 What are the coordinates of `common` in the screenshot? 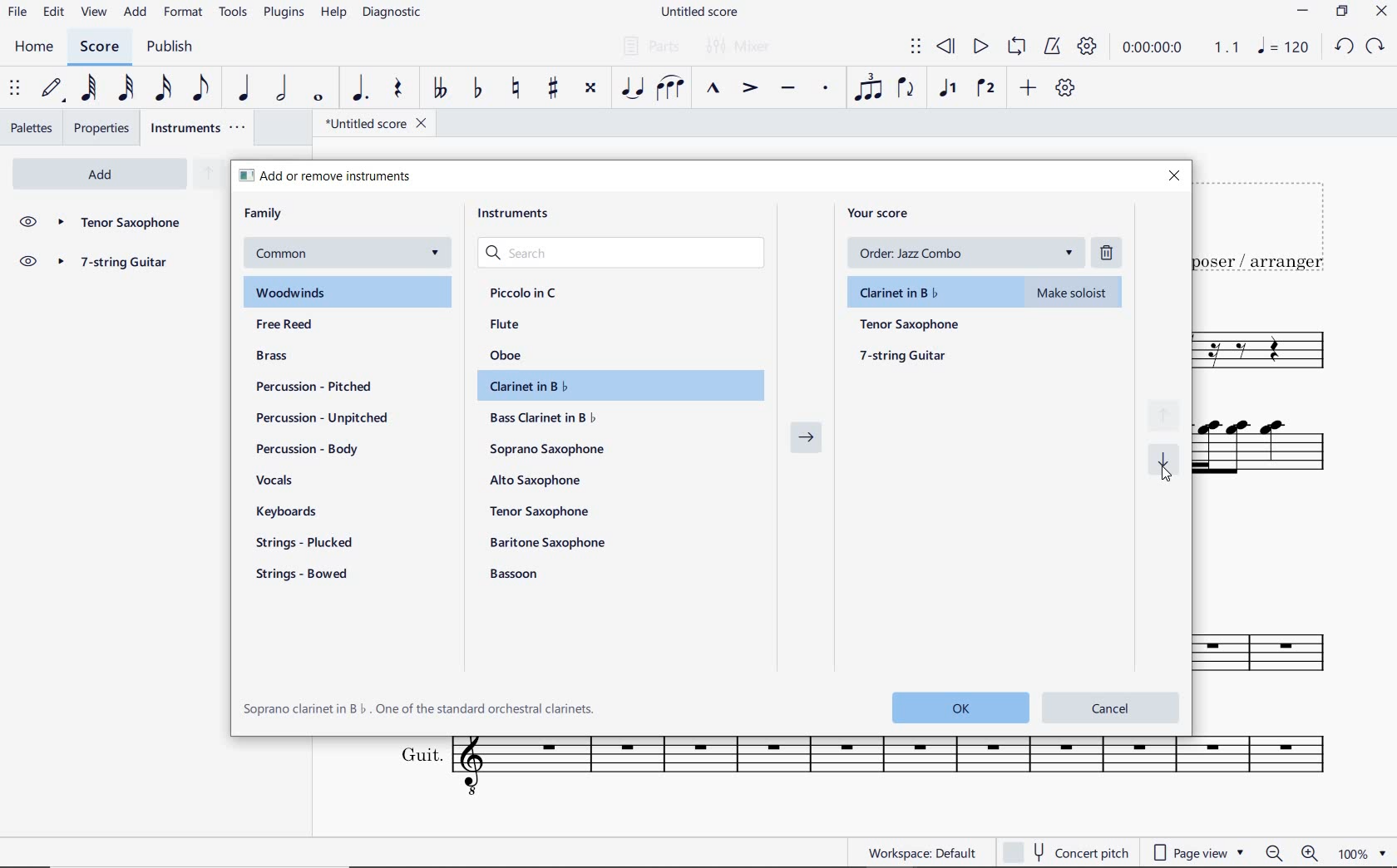 It's located at (345, 254).